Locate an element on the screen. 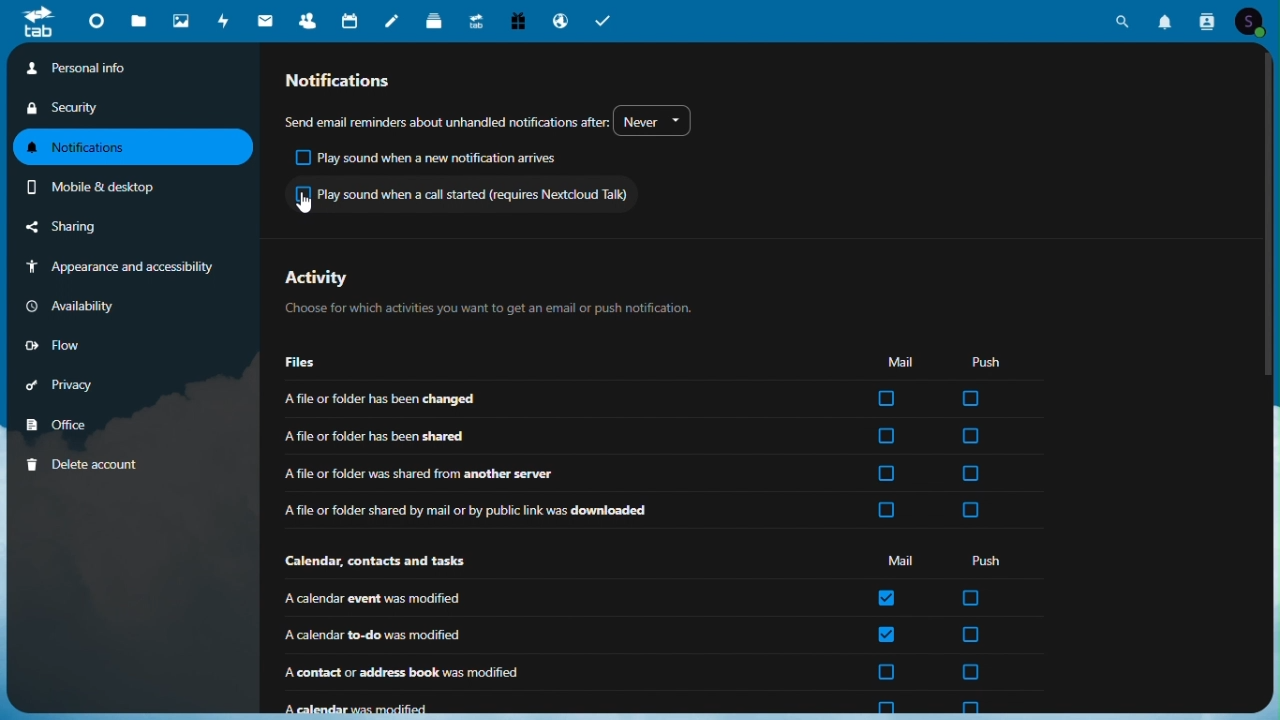 Image resolution: width=1280 pixels, height=720 pixels. Privacy is located at coordinates (70, 381).